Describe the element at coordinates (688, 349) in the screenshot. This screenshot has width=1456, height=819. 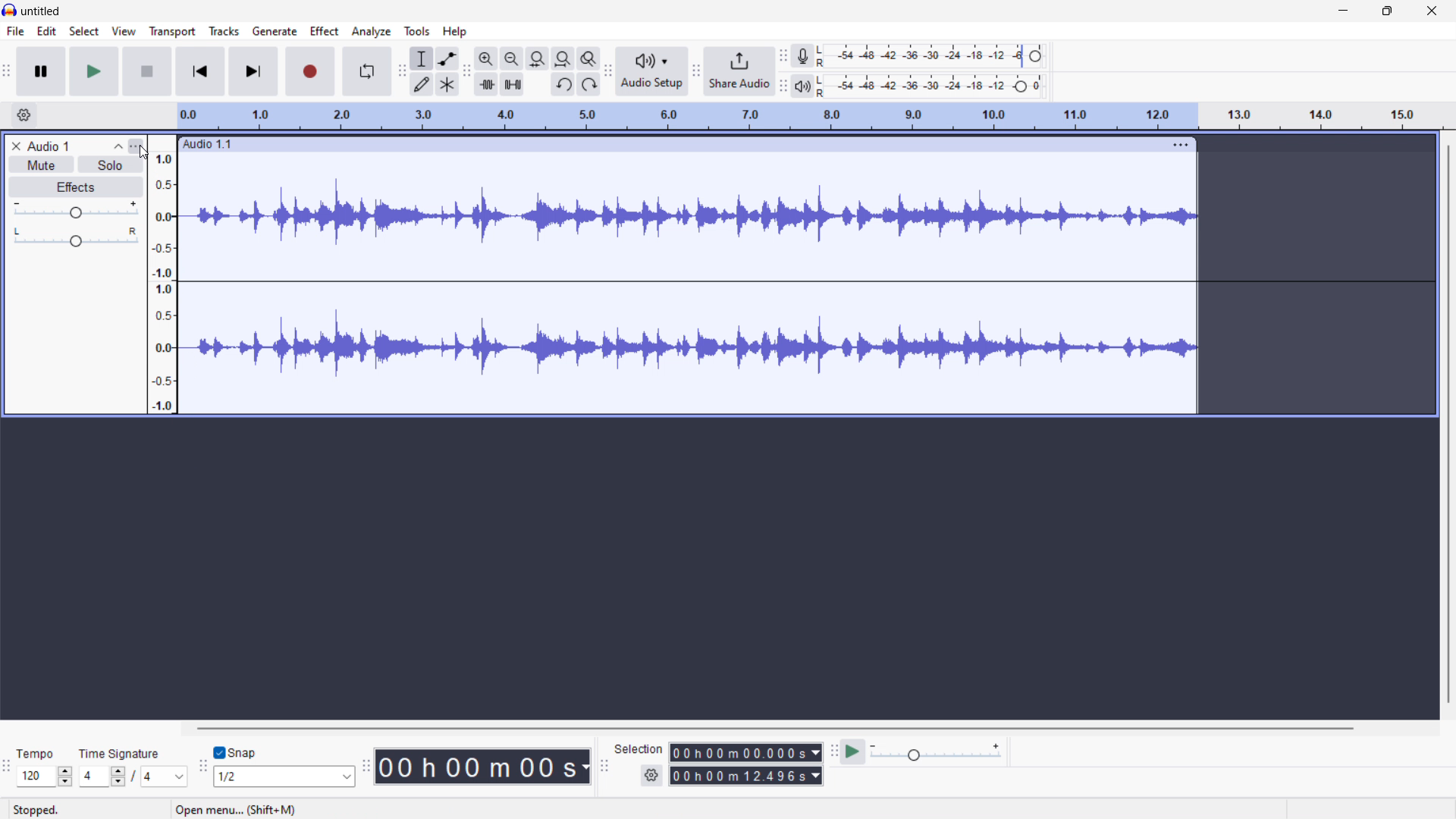
I see `stereo waveform` at that location.